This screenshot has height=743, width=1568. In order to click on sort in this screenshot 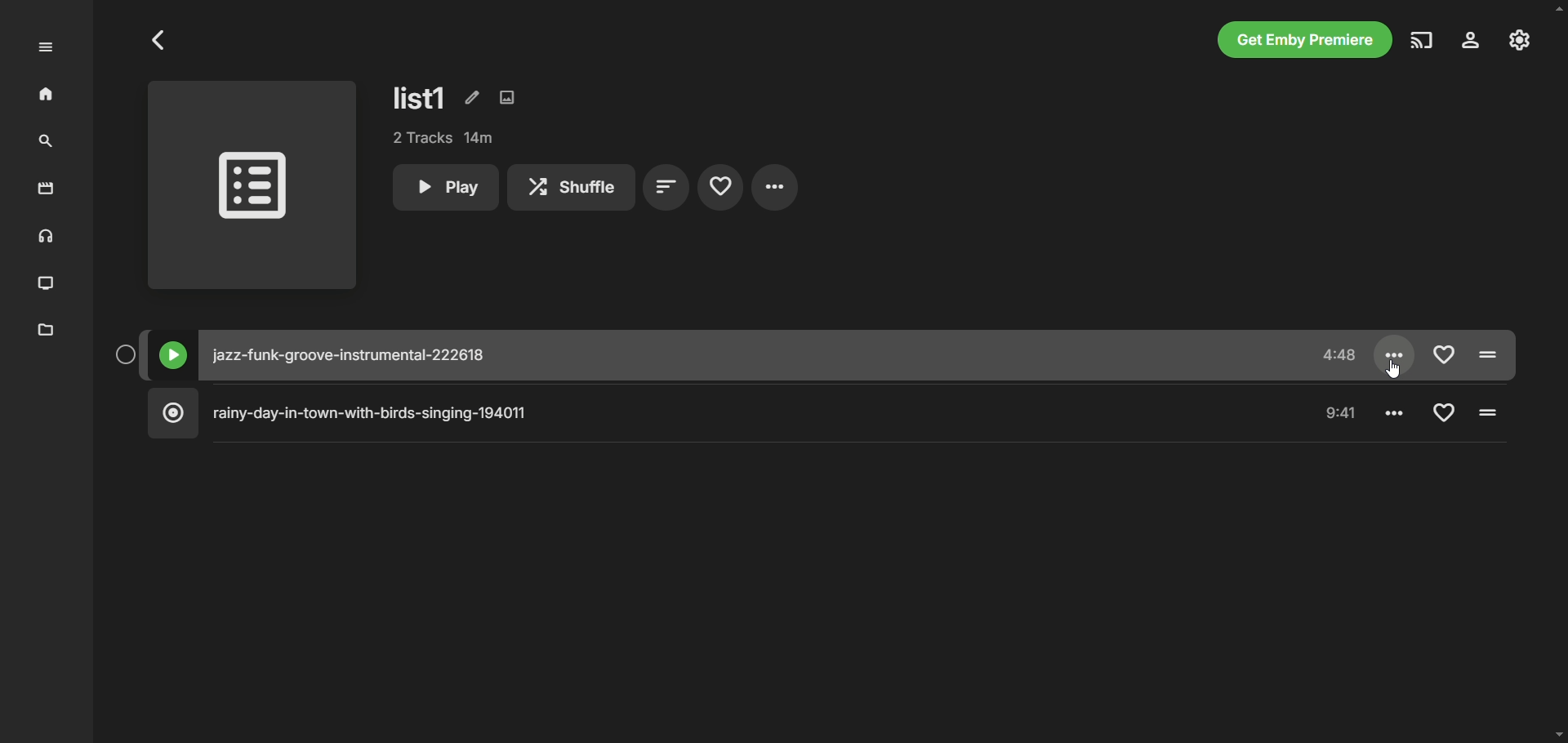, I will do `click(666, 188)`.